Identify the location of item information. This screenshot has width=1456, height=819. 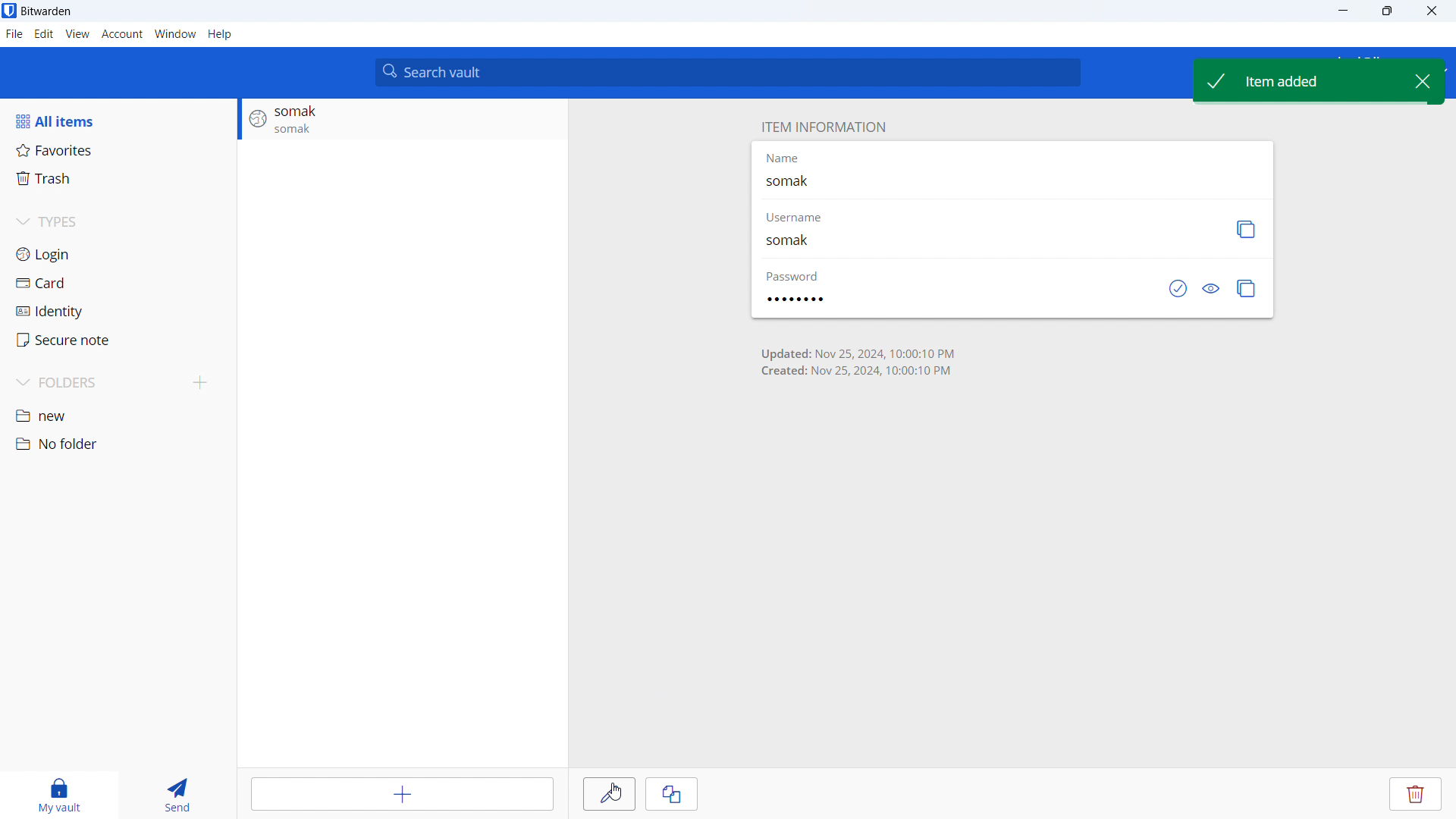
(823, 127).